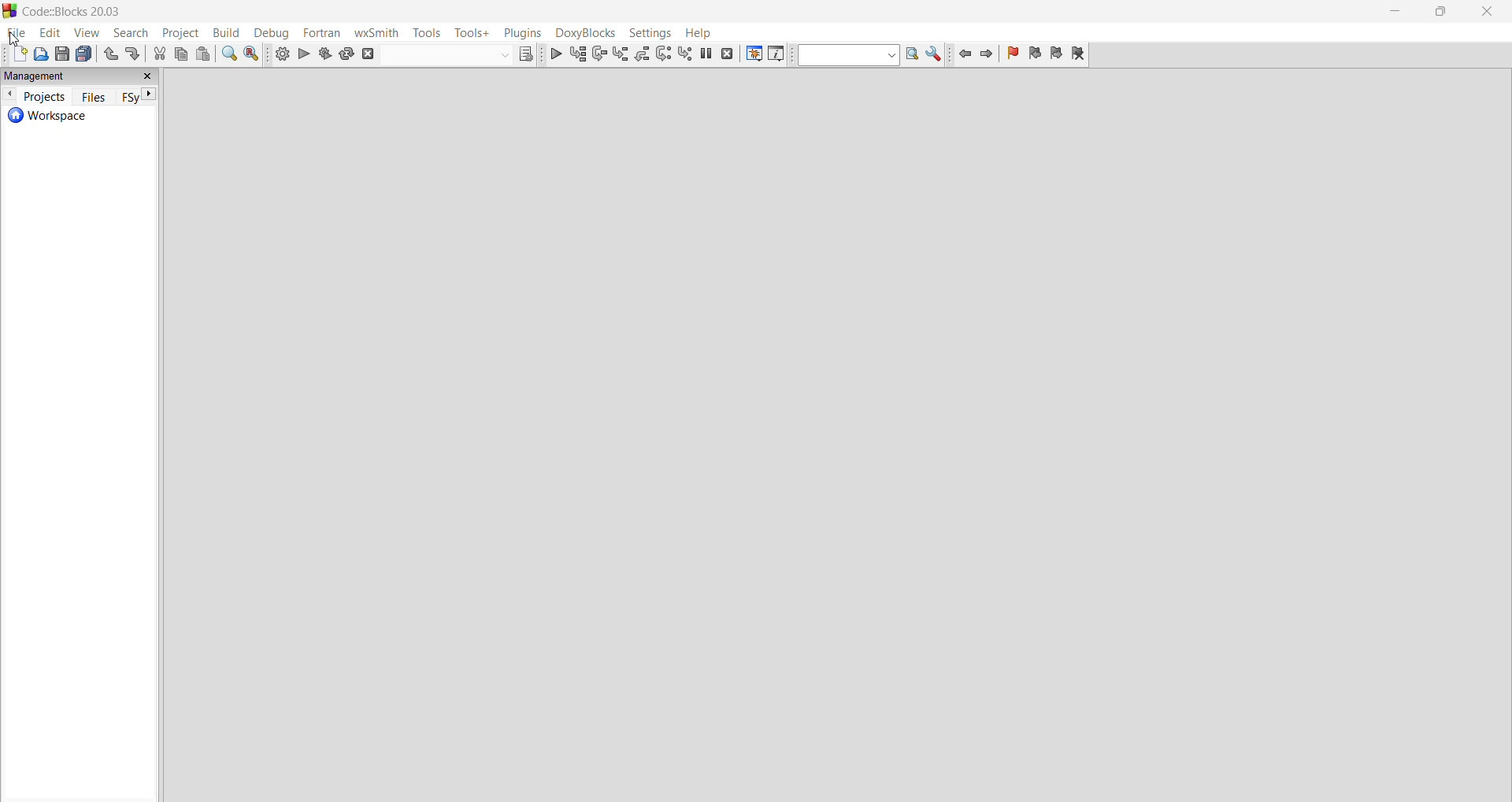 This screenshot has width=1512, height=802. I want to click on next, so click(150, 95).